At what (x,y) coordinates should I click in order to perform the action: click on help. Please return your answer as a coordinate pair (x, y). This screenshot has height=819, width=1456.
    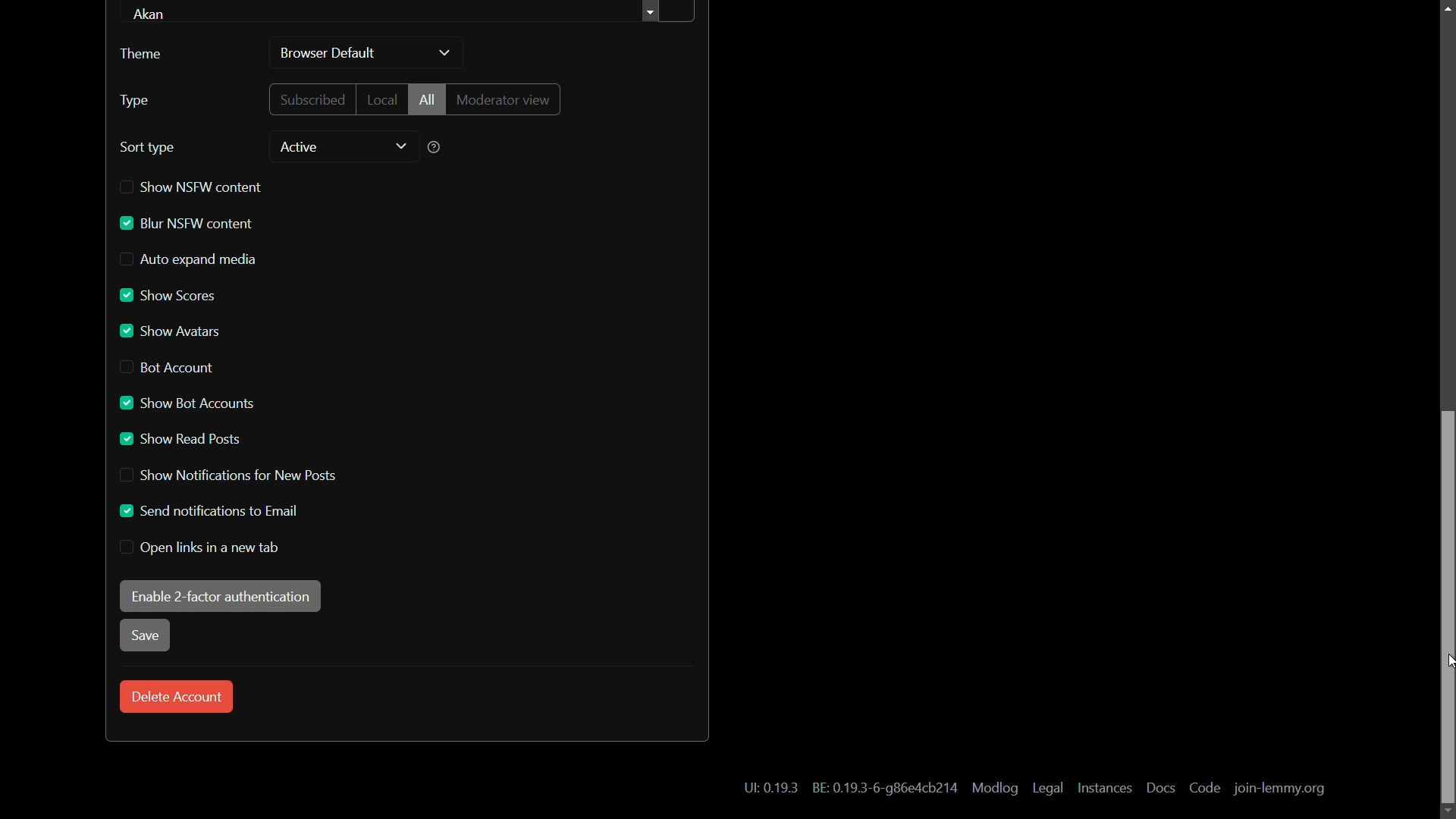
    Looking at the image, I should click on (435, 147).